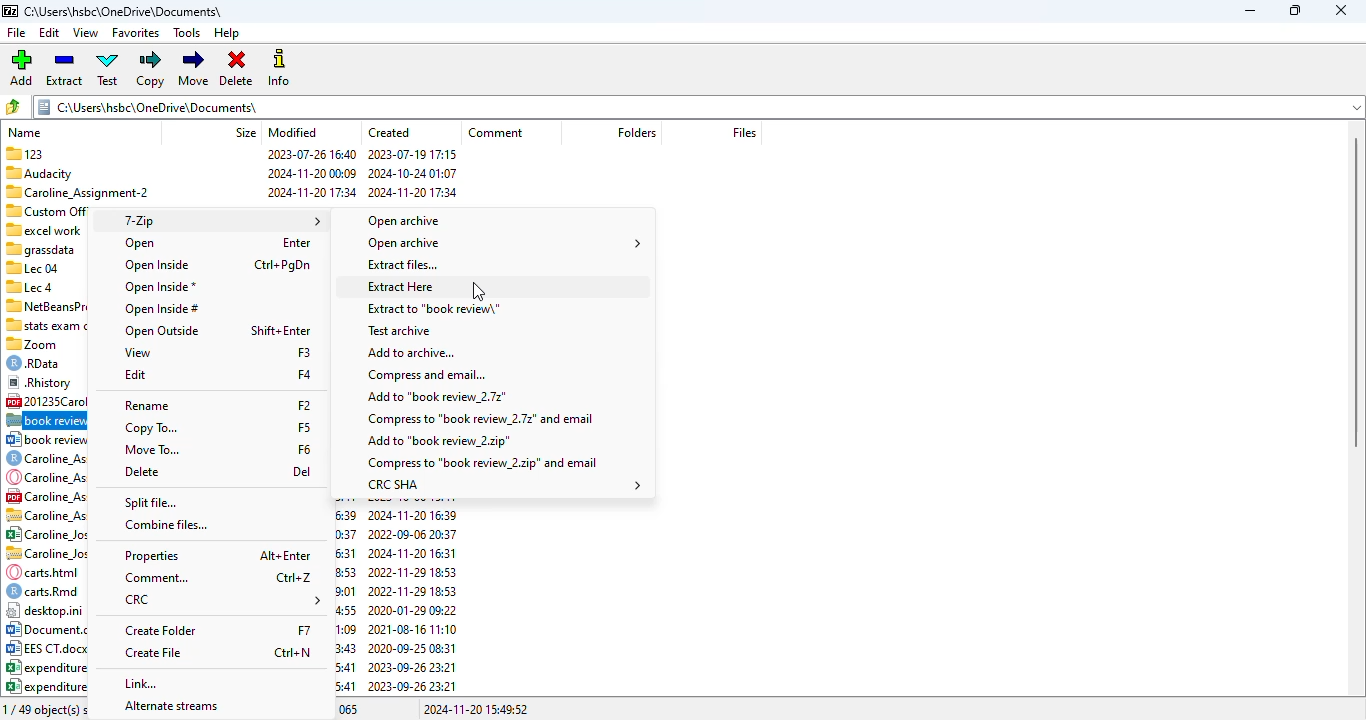  What do you see at coordinates (154, 653) in the screenshot?
I see `create file` at bounding box center [154, 653].